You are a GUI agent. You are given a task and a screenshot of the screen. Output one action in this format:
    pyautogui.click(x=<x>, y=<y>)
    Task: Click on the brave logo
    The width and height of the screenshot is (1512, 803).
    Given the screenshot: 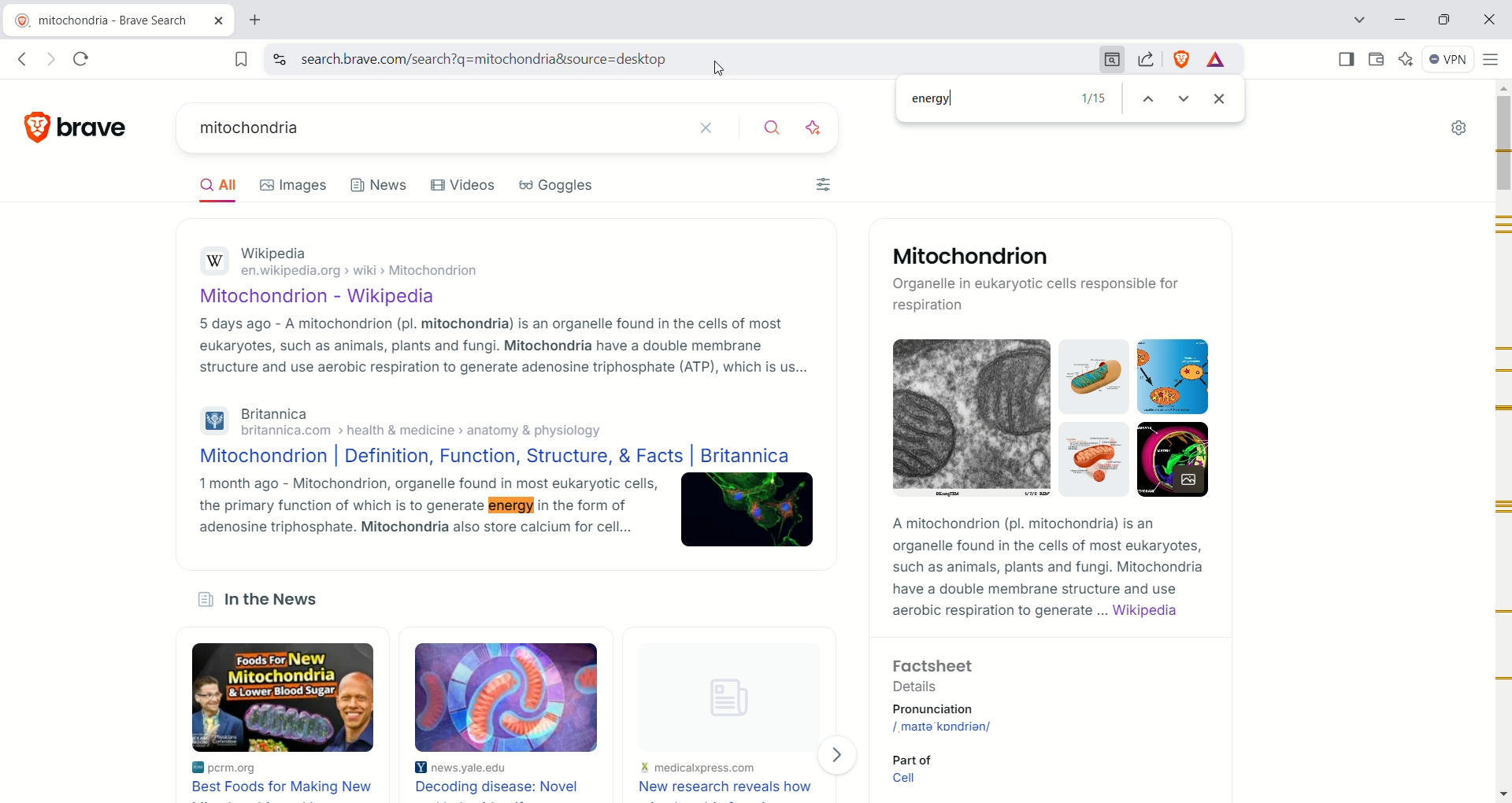 What is the action you would take?
    pyautogui.click(x=35, y=131)
    